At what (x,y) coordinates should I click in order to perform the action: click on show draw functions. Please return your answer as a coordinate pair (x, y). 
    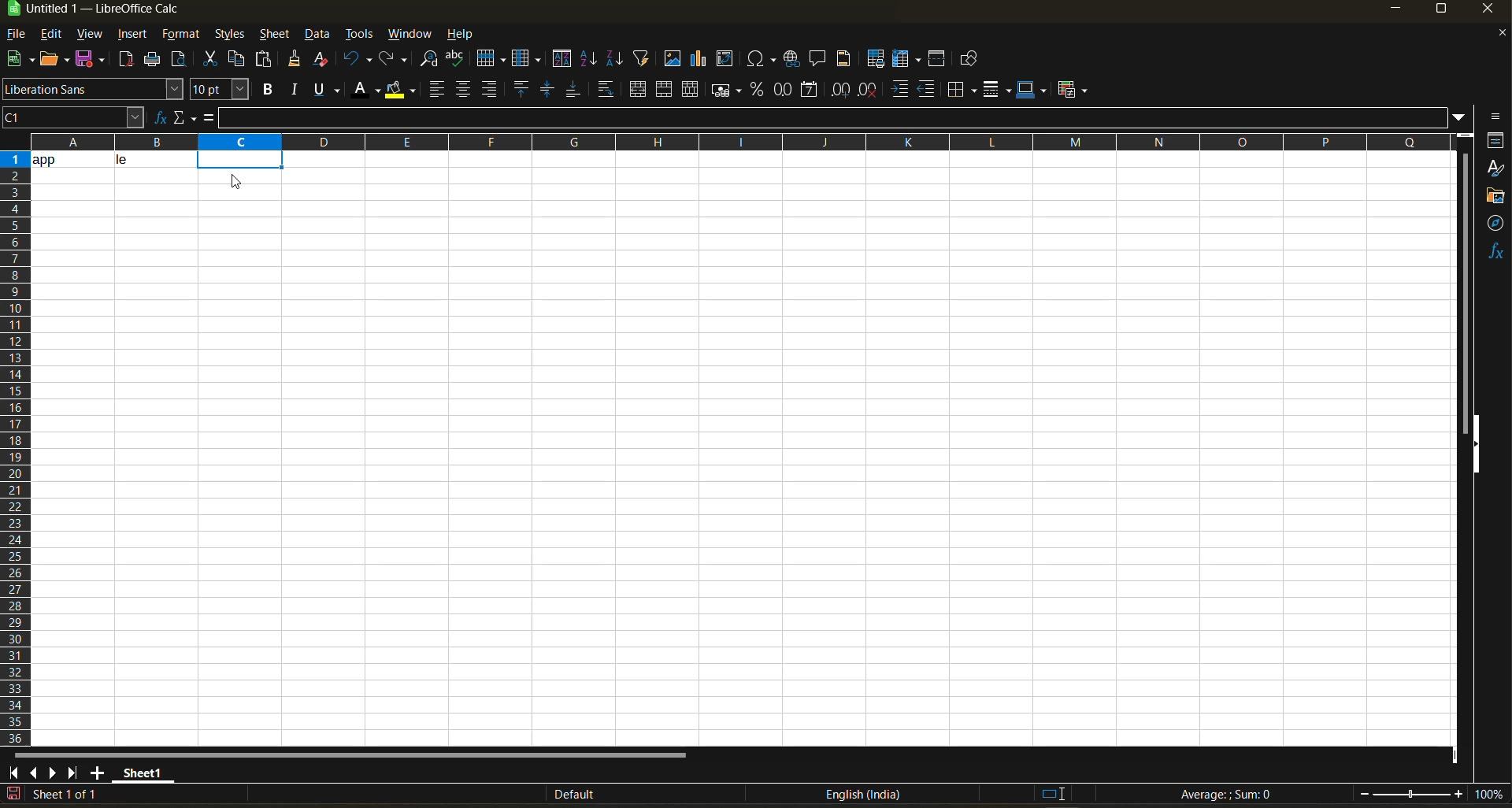
    Looking at the image, I should click on (966, 61).